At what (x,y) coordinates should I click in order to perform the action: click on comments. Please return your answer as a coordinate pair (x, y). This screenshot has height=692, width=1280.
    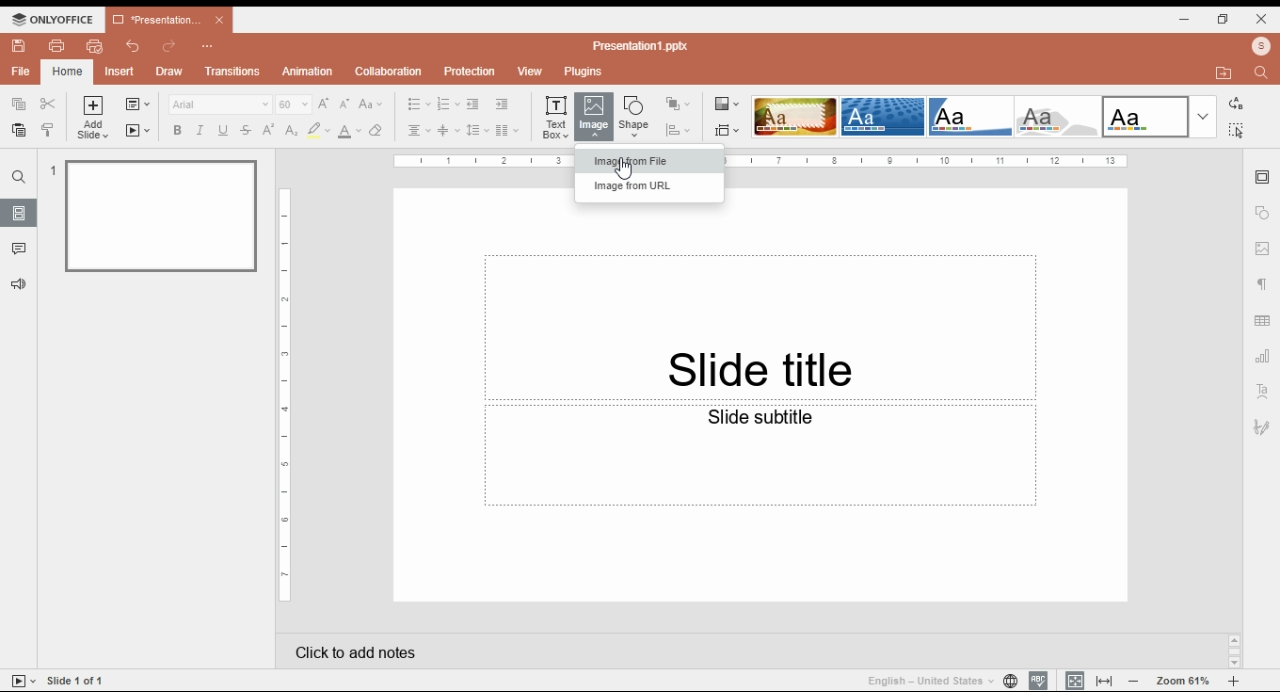
    Looking at the image, I should click on (20, 250).